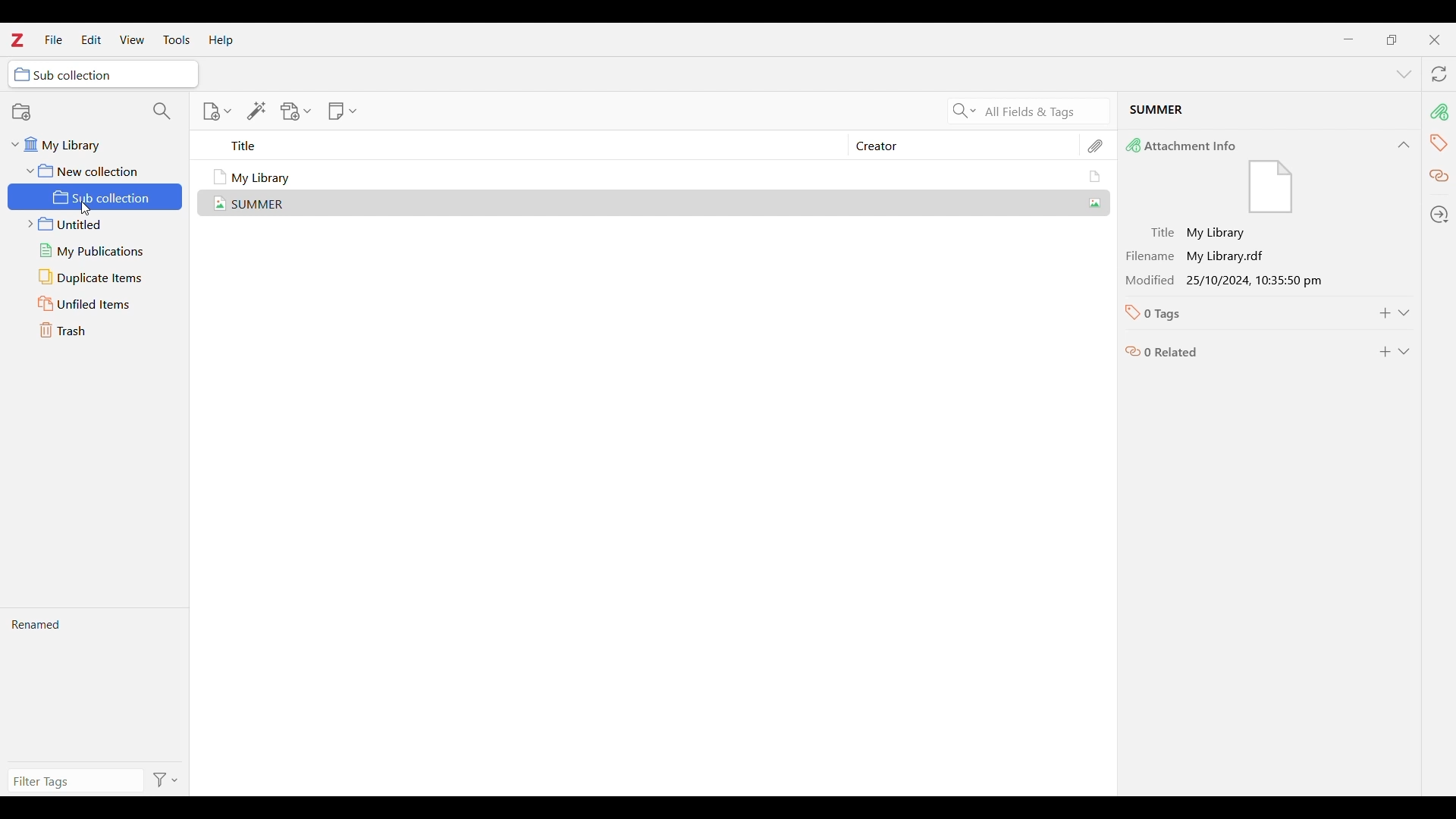 The image size is (1456, 819). I want to click on View menu, so click(132, 39).